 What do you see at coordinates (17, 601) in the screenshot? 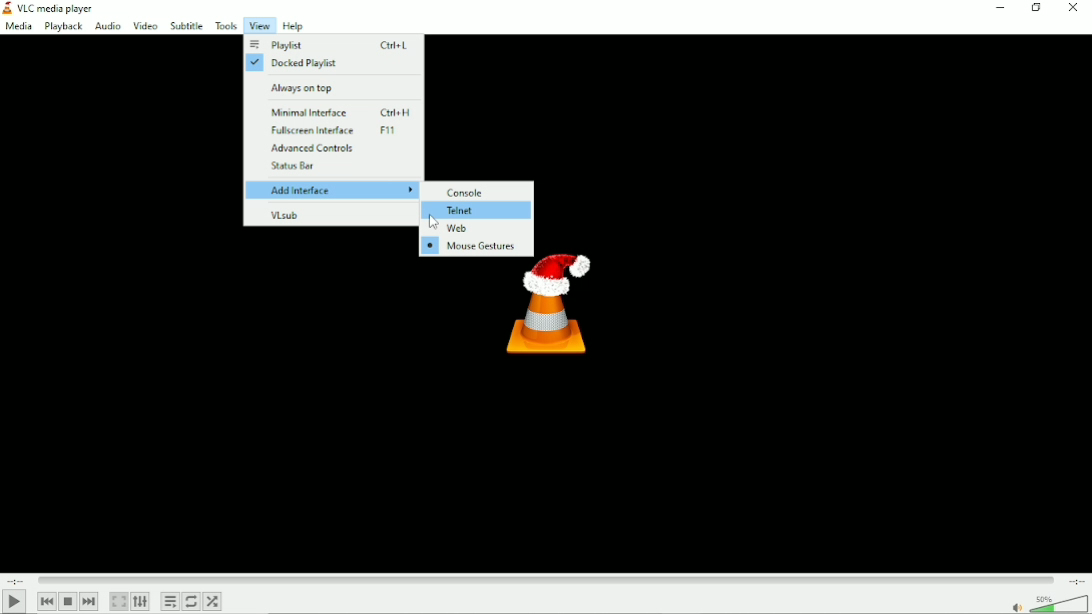
I see `Play` at bounding box center [17, 601].